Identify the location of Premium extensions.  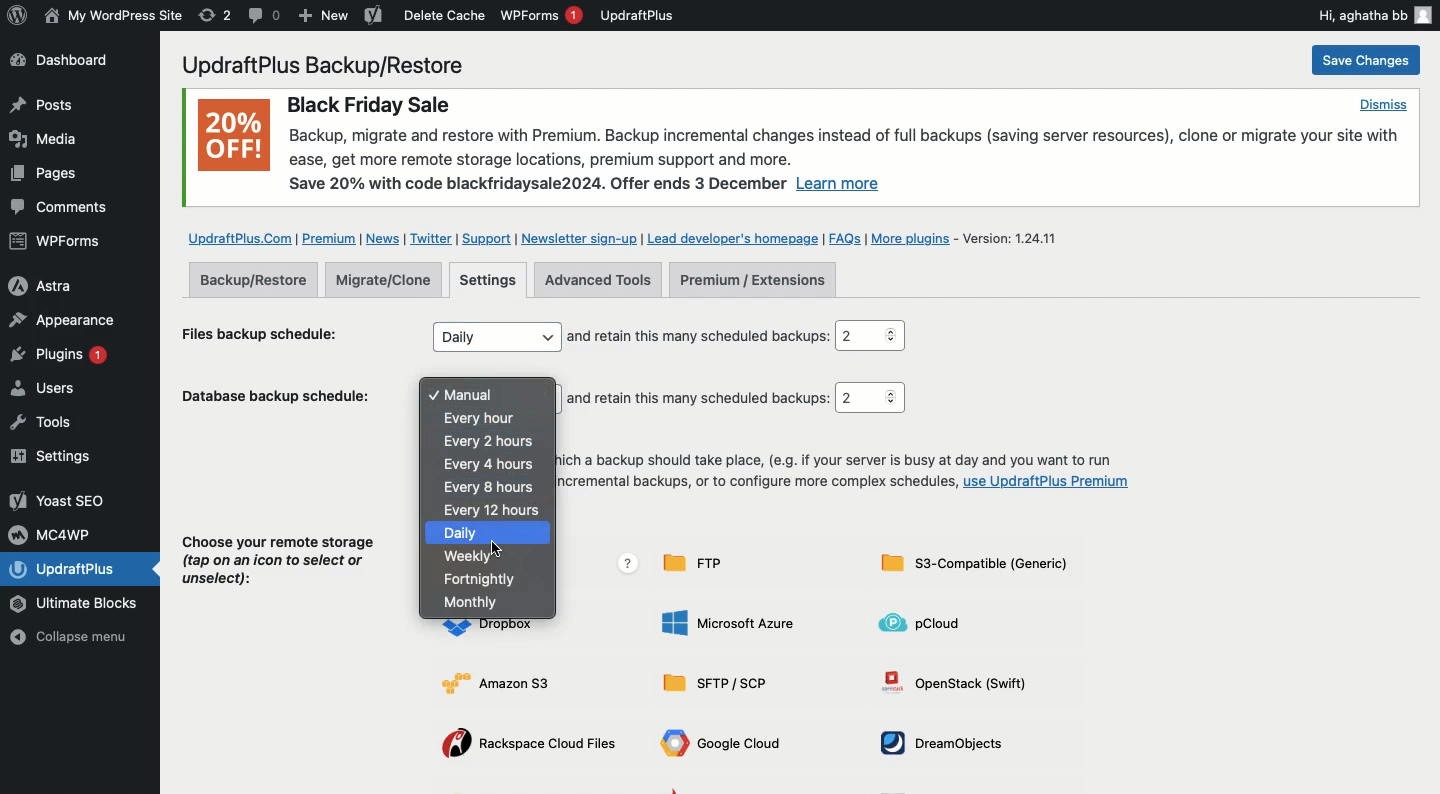
(752, 281).